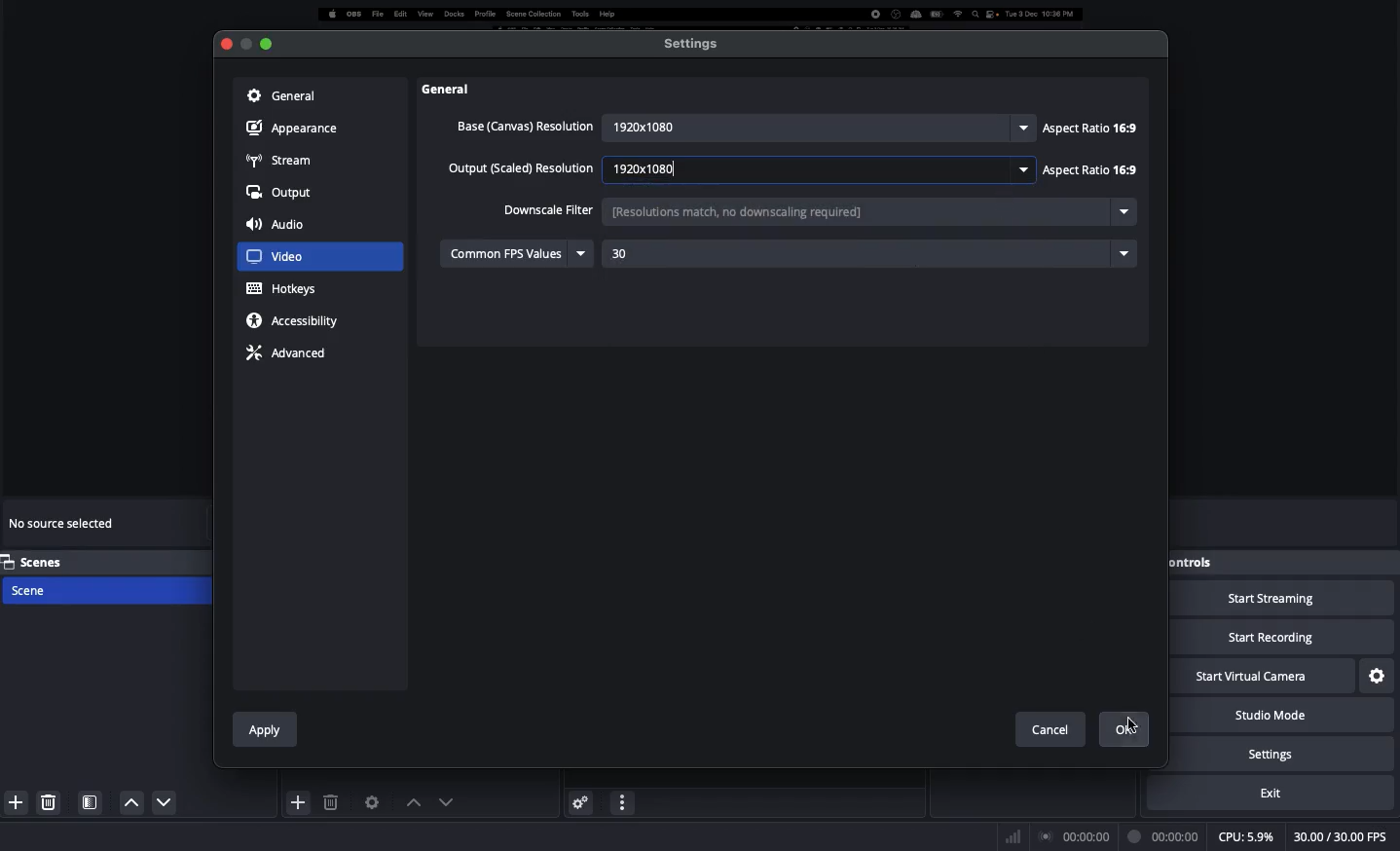 This screenshot has width=1400, height=851. What do you see at coordinates (13, 800) in the screenshot?
I see `Add` at bounding box center [13, 800].